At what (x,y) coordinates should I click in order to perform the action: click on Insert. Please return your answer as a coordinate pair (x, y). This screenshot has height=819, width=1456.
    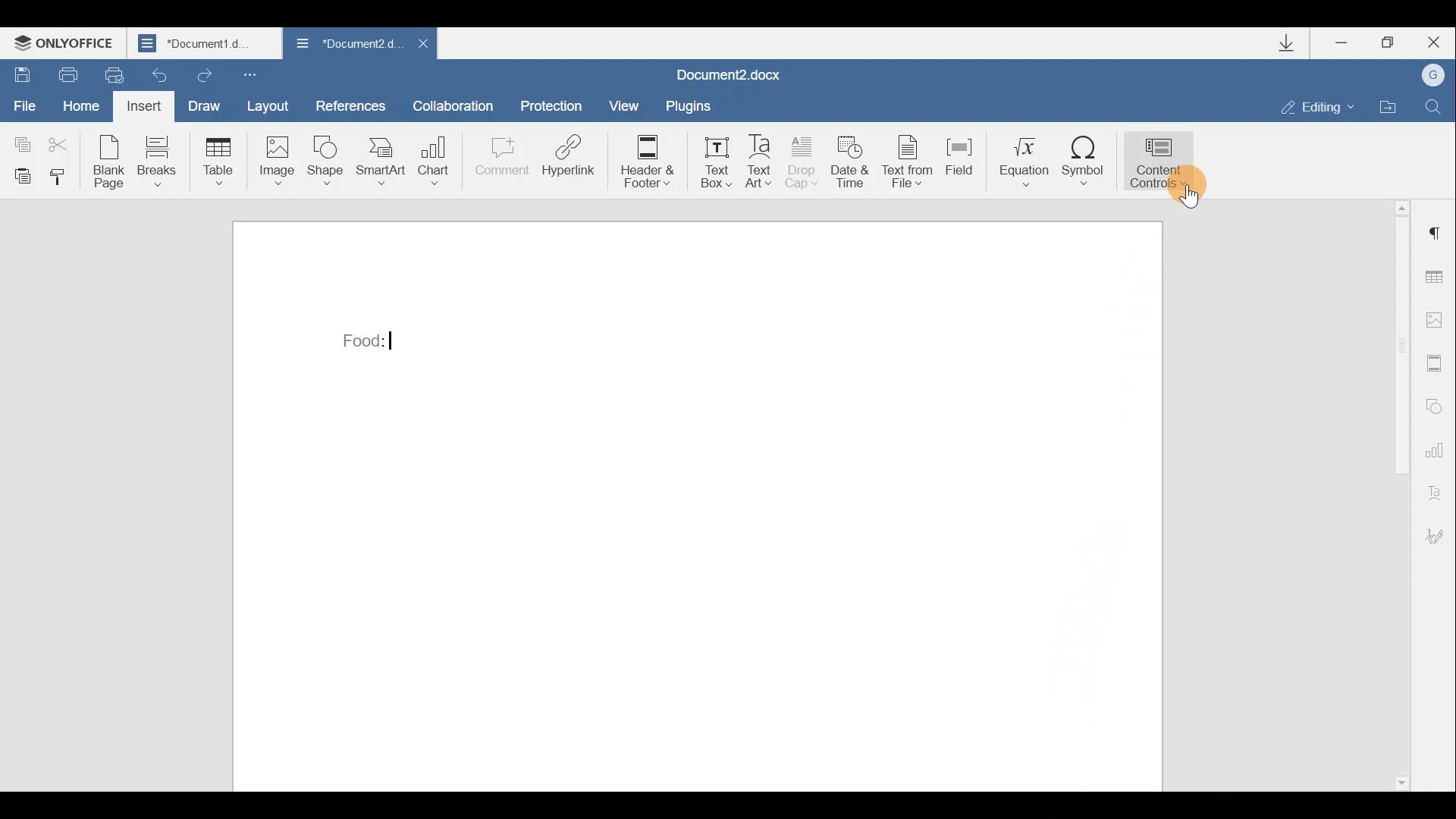
    Looking at the image, I should click on (146, 109).